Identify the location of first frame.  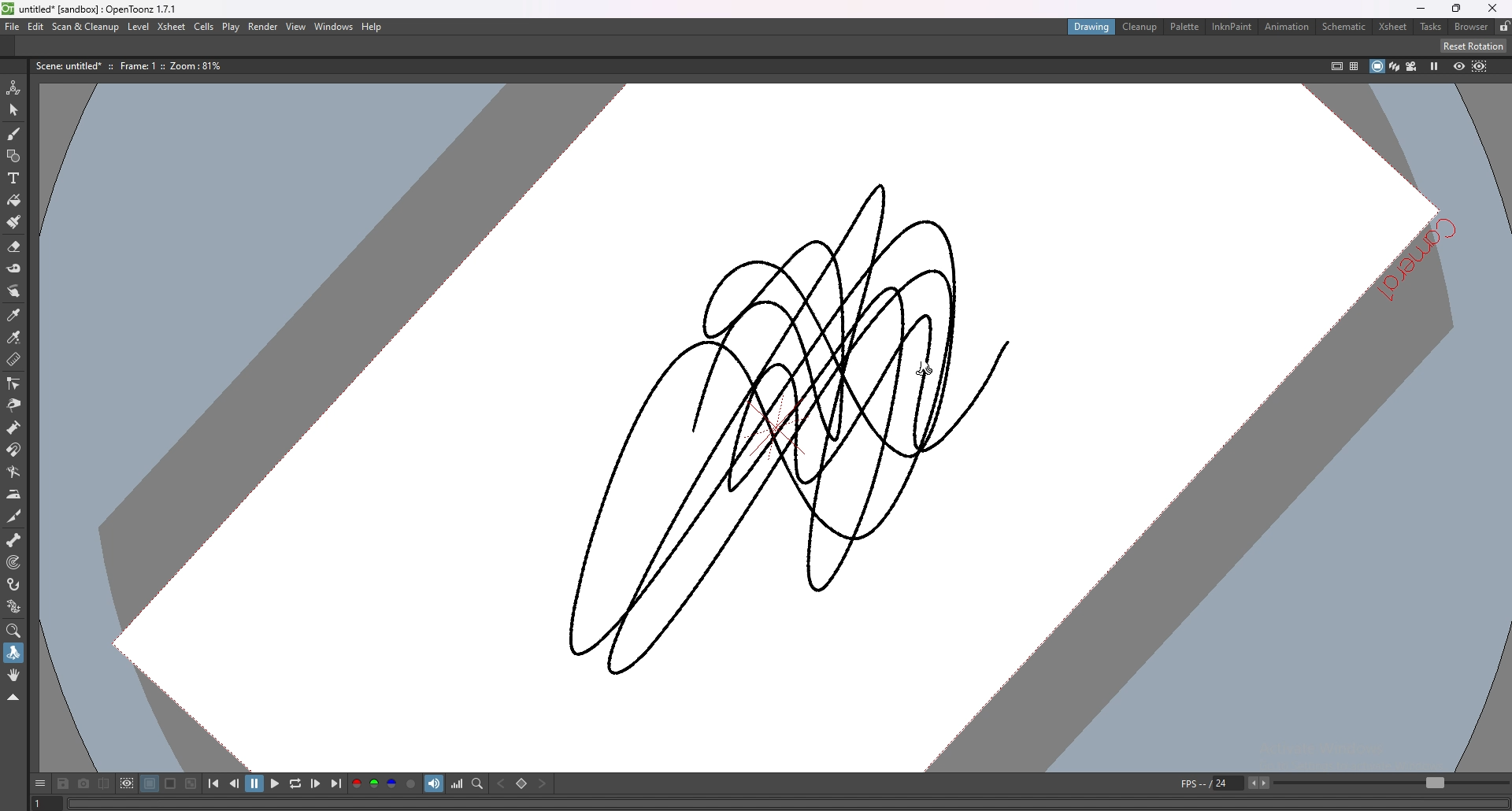
(215, 784).